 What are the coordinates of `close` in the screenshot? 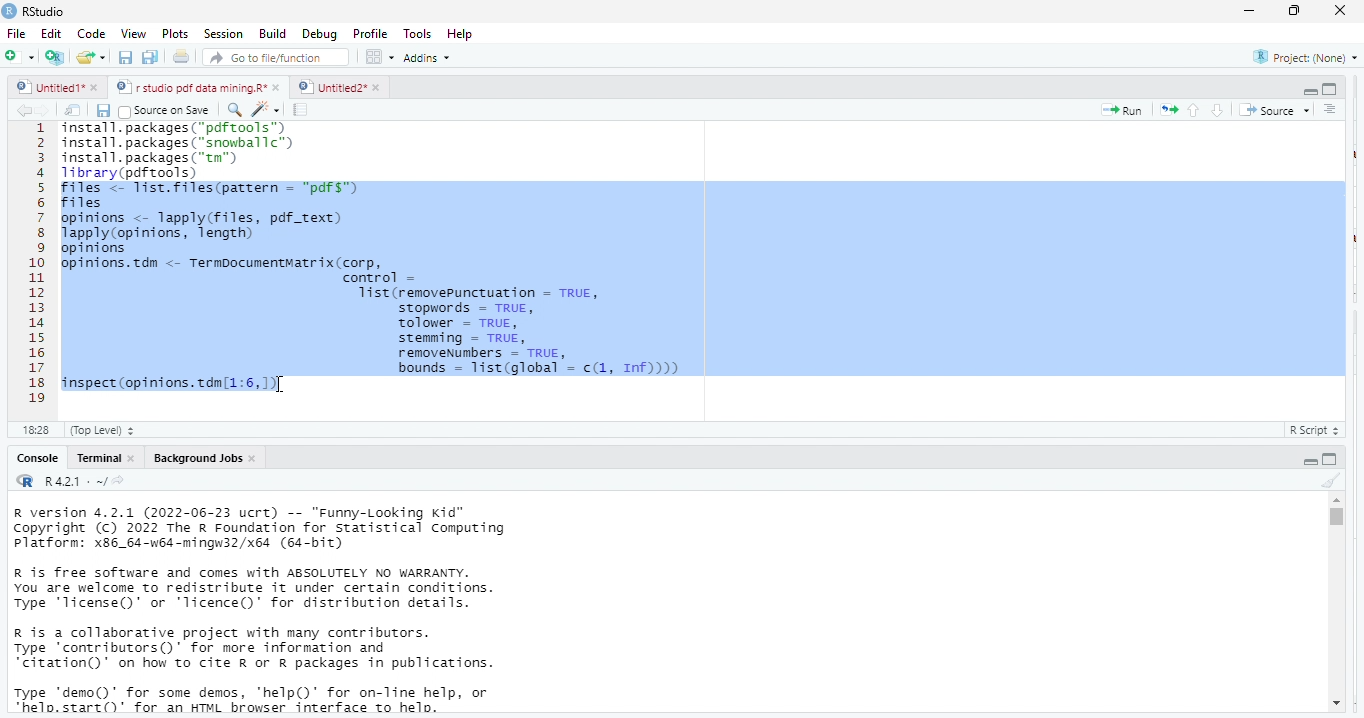 It's located at (255, 458).